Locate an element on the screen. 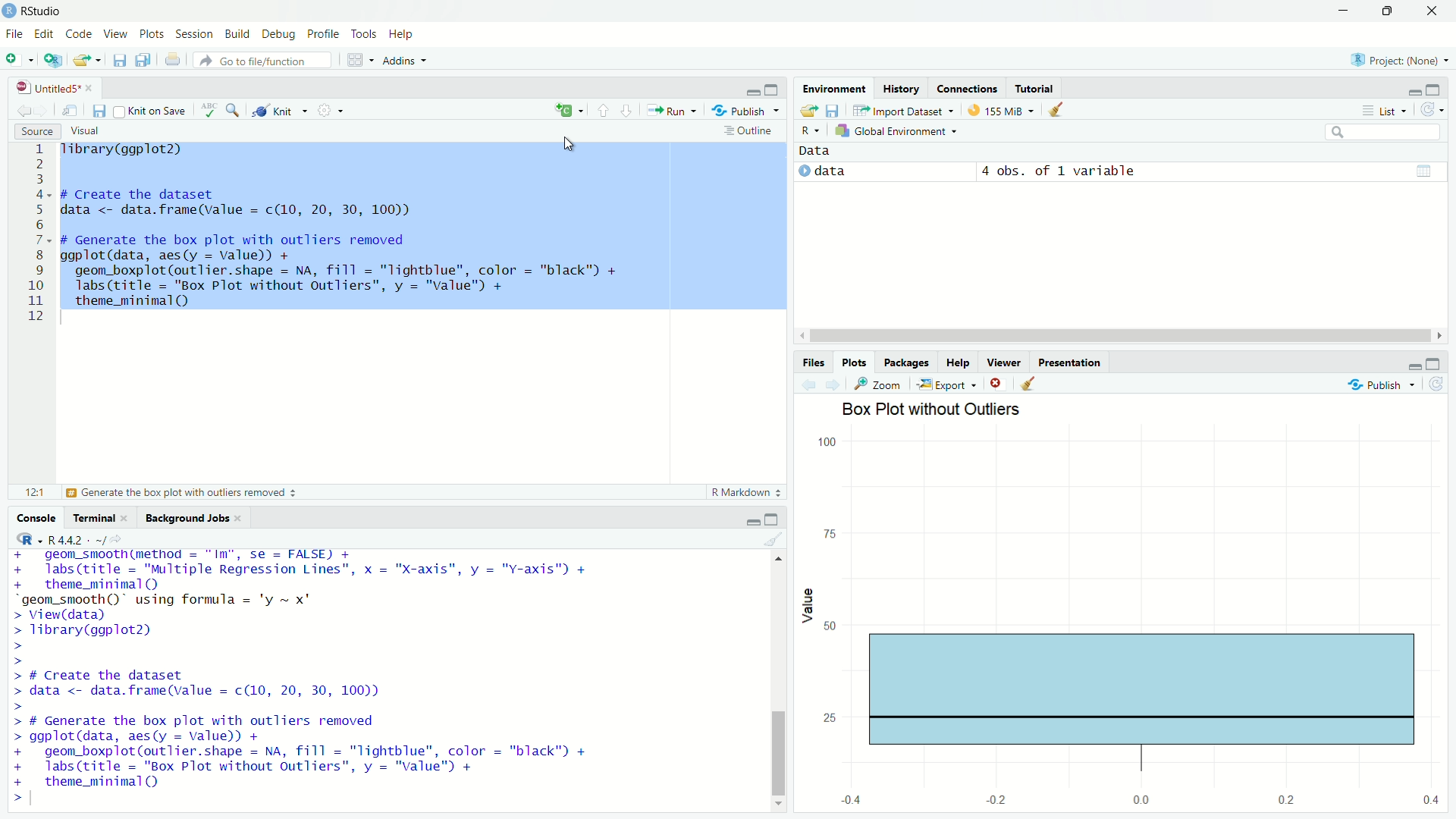  close is located at coordinates (996, 383).